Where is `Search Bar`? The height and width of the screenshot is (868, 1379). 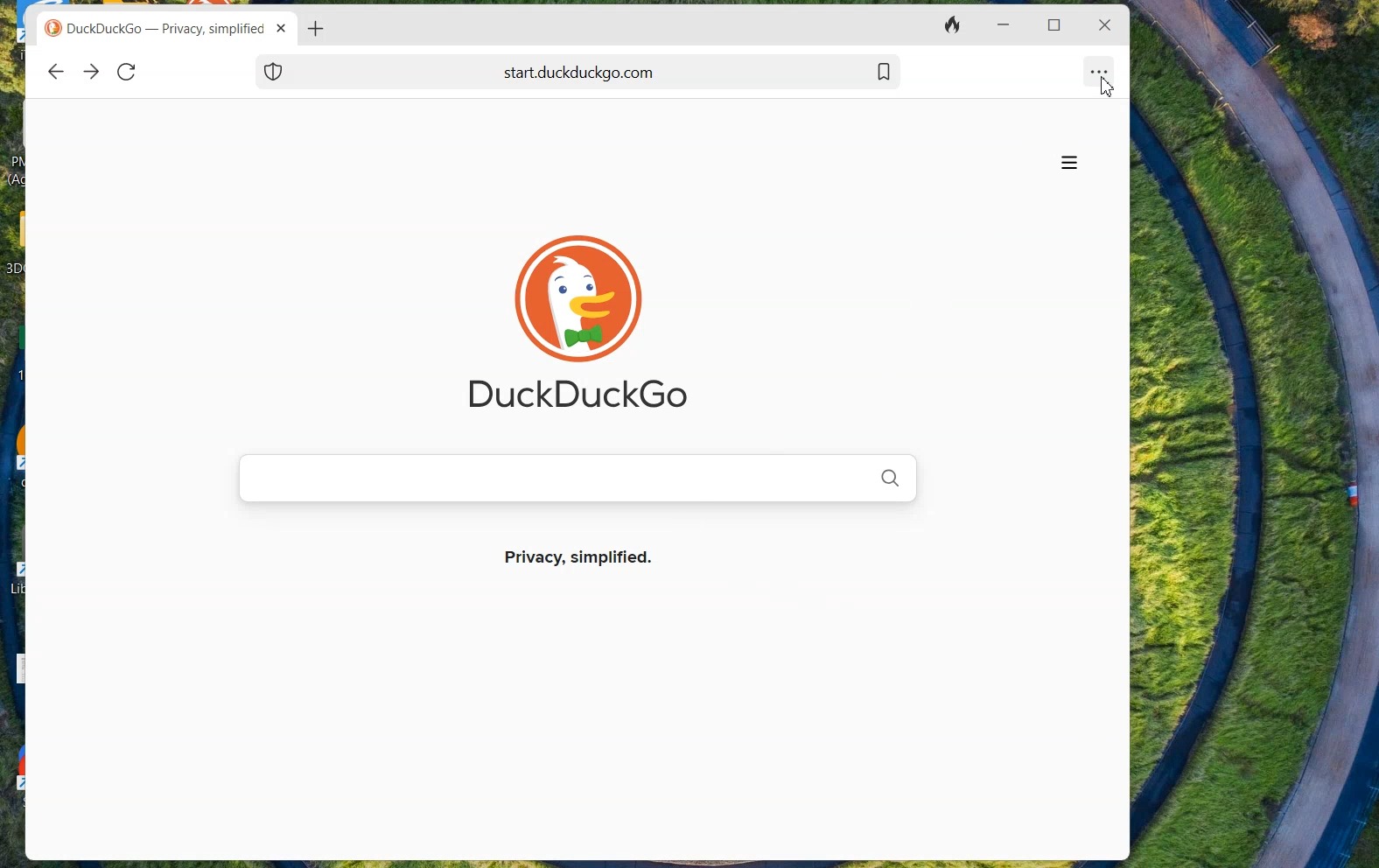 Search Bar is located at coordinates (574, 478).